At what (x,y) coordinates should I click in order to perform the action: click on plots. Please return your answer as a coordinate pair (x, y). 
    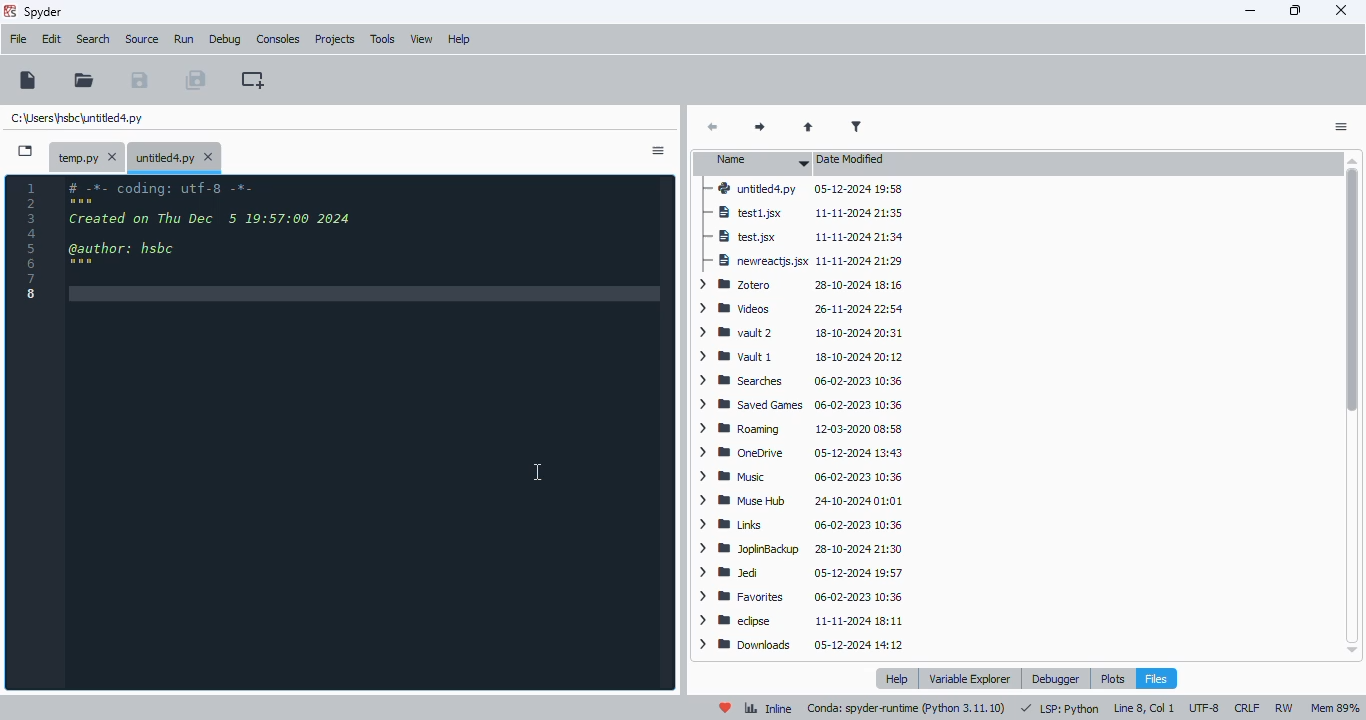
    Looking at the image, I should click on (1113, 678).